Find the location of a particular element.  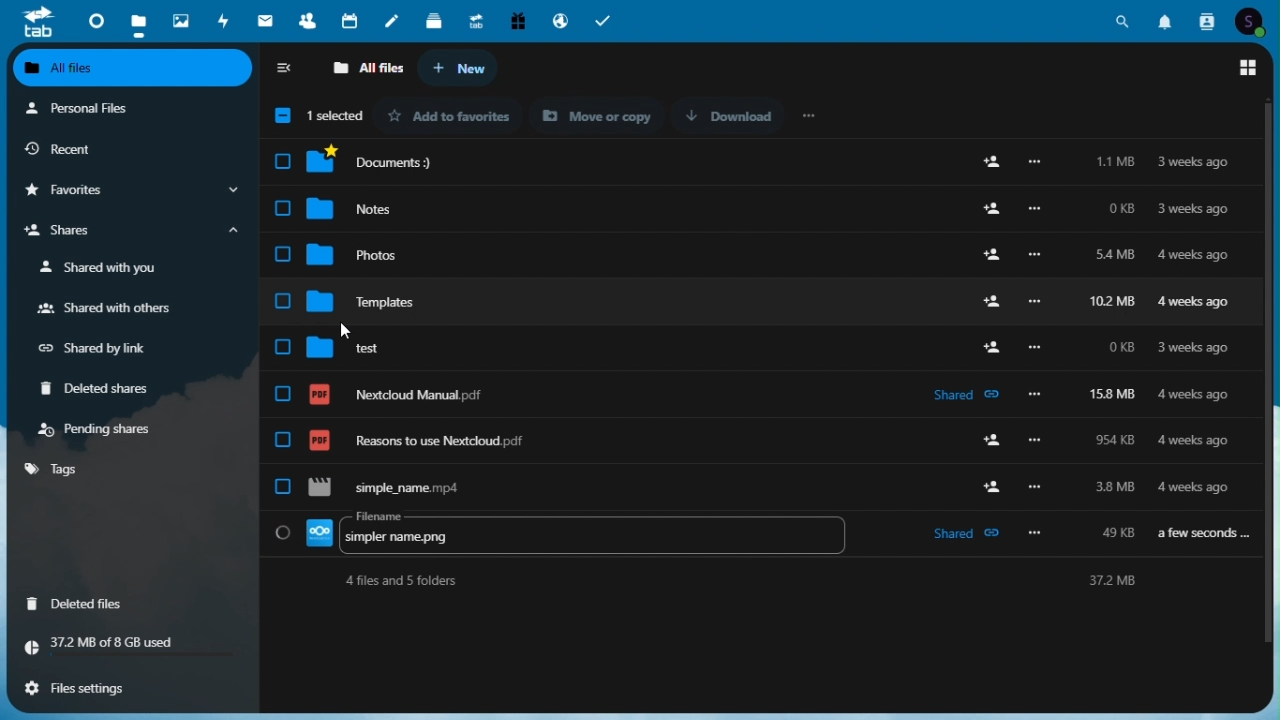

shared with you is located at coordinates (103, 268).